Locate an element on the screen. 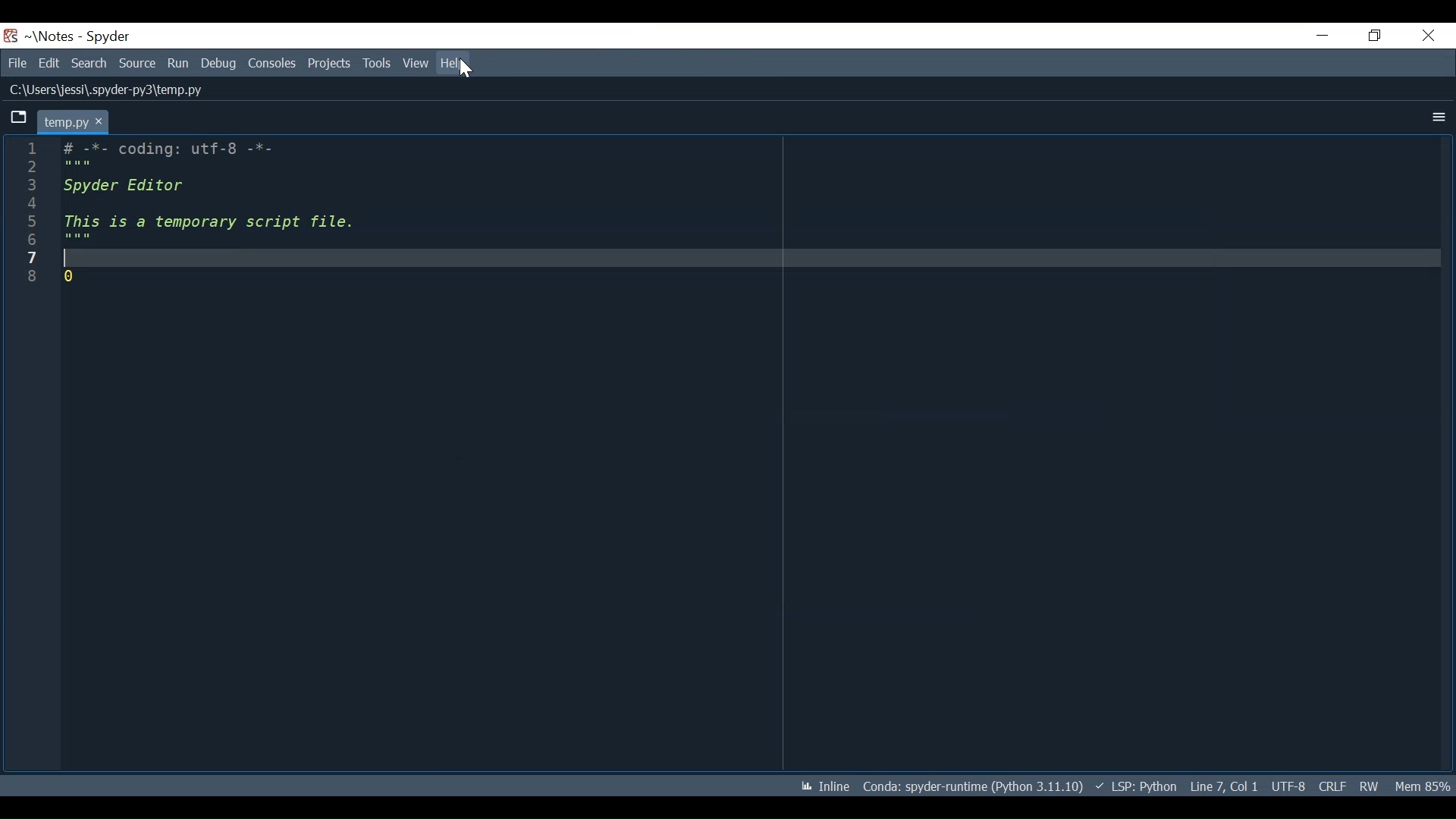  Inline is located at coordinates (825, 786).